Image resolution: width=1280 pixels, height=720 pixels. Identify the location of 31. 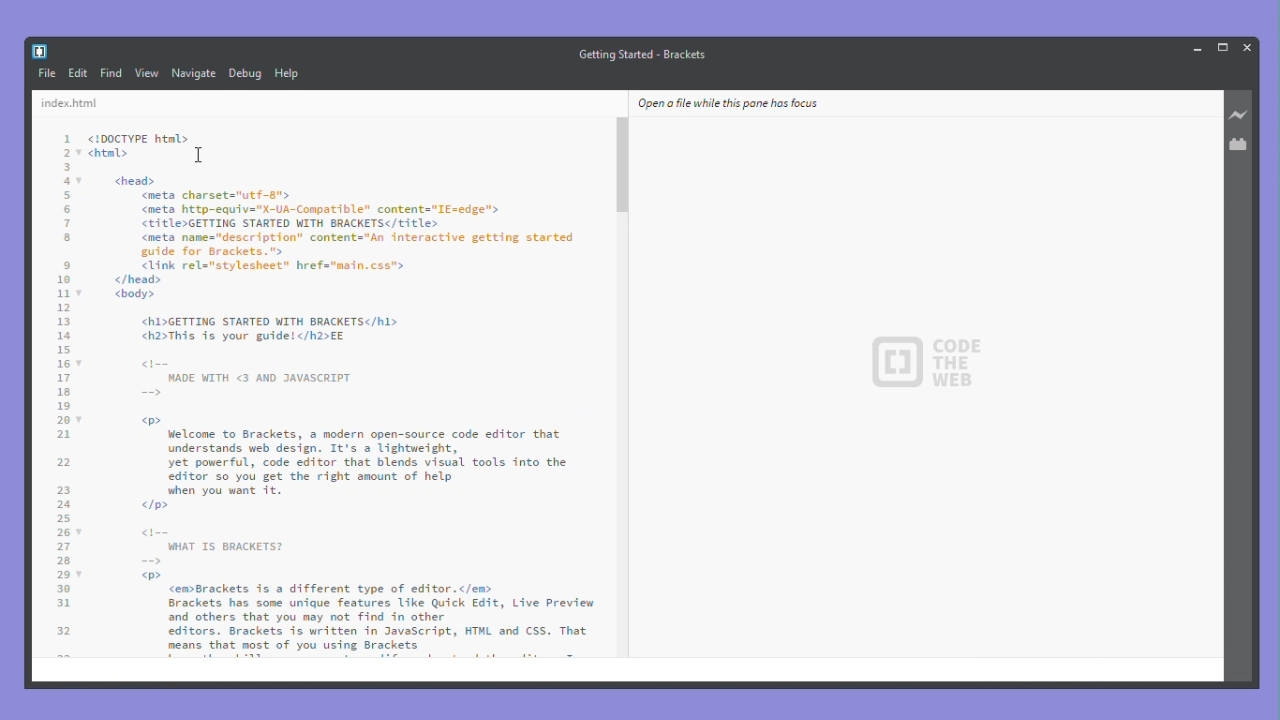
(63, 603).